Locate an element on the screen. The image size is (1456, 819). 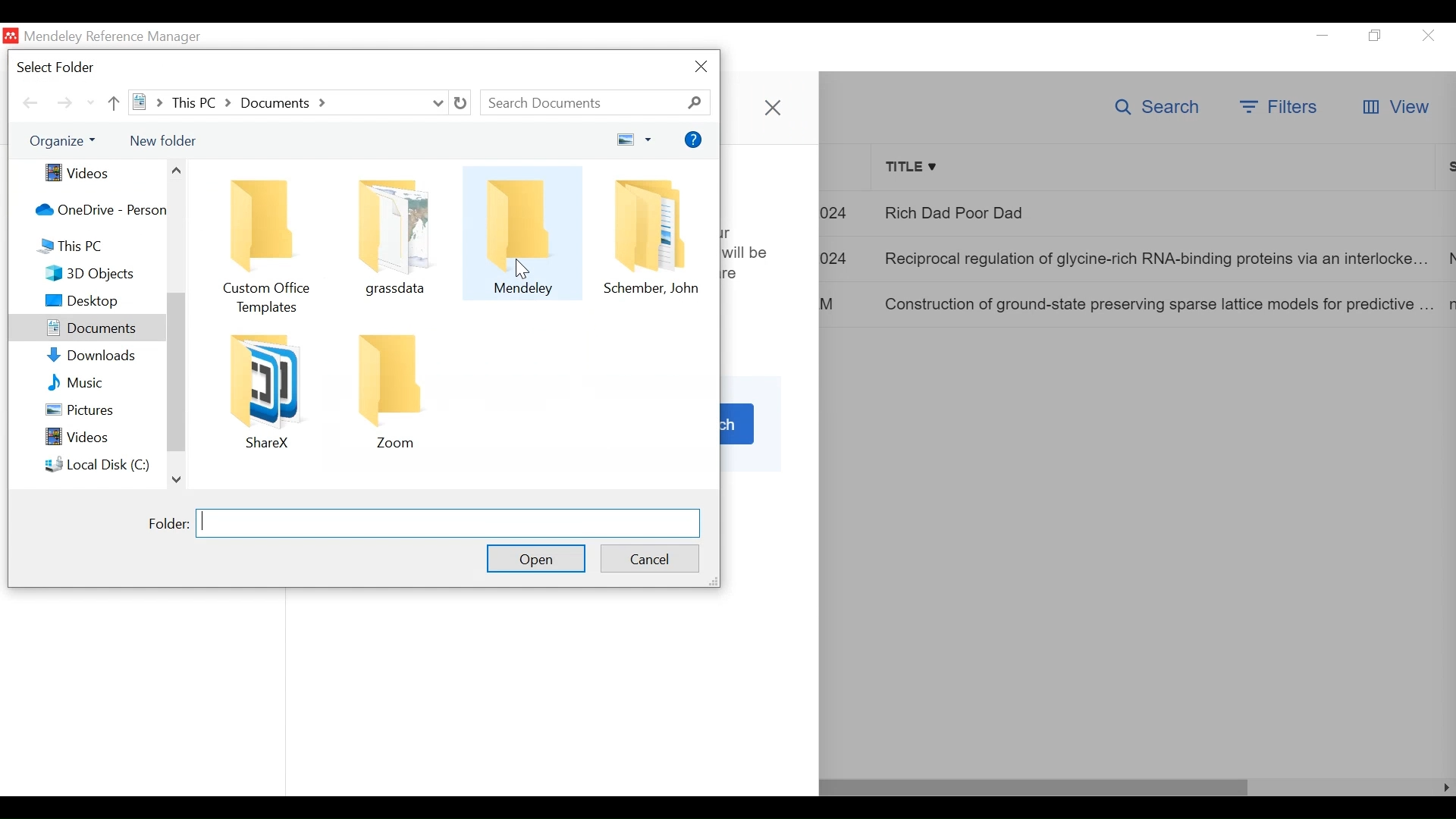
Cancel is located at coordinates (647, 557).